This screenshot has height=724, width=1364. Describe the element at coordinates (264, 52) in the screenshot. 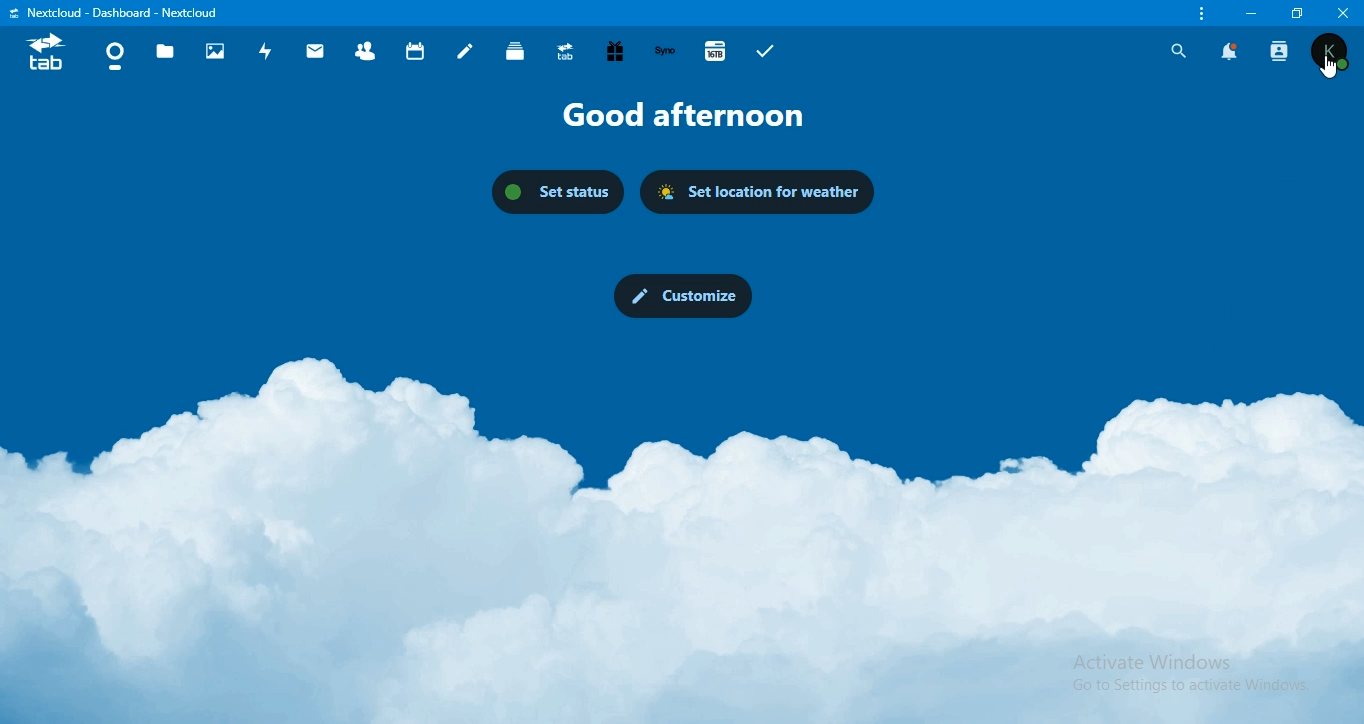

I see `activity` at that location.